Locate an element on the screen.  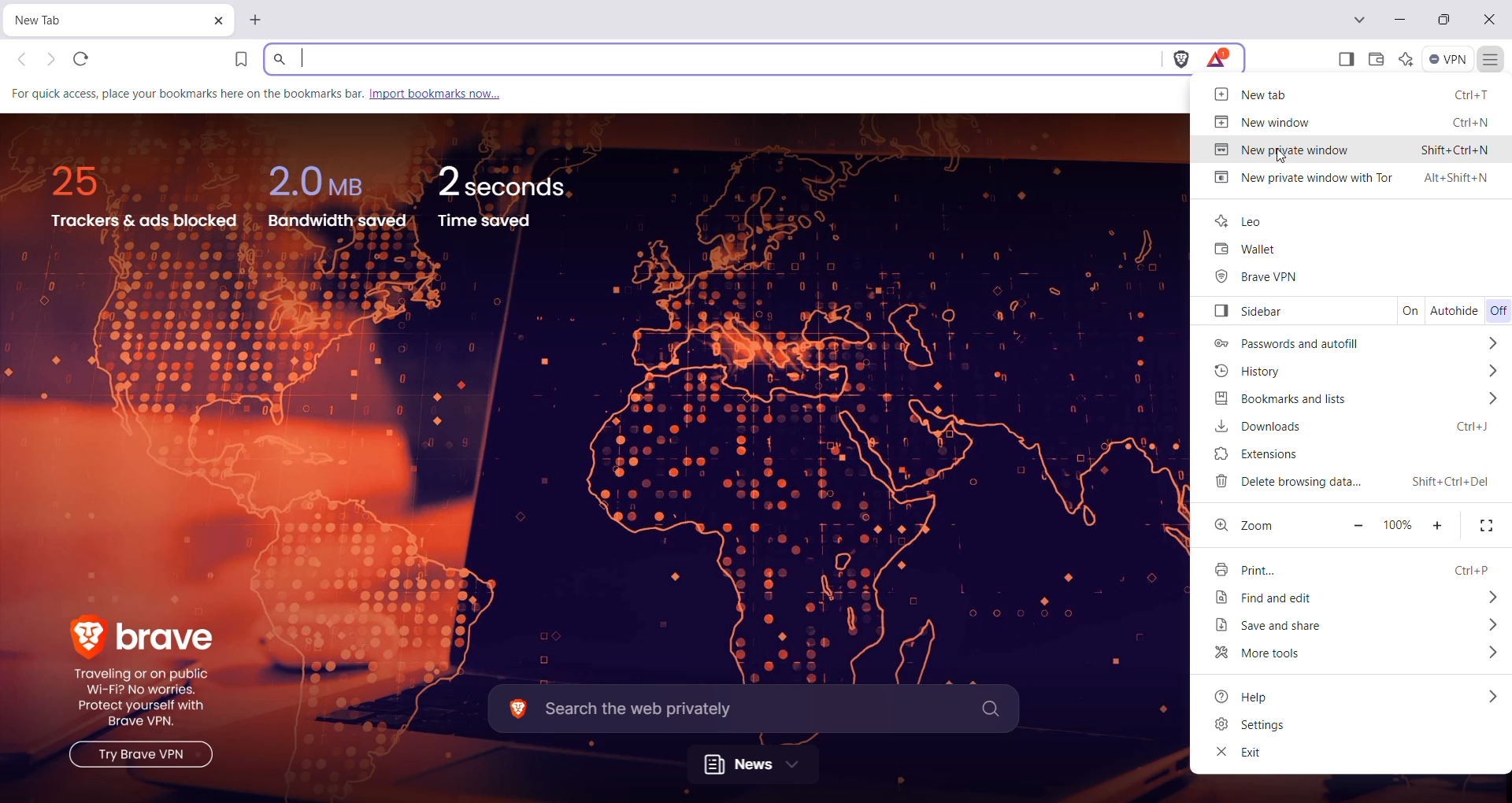
Bookmarks and lists is located at coordinates (1291, 399).